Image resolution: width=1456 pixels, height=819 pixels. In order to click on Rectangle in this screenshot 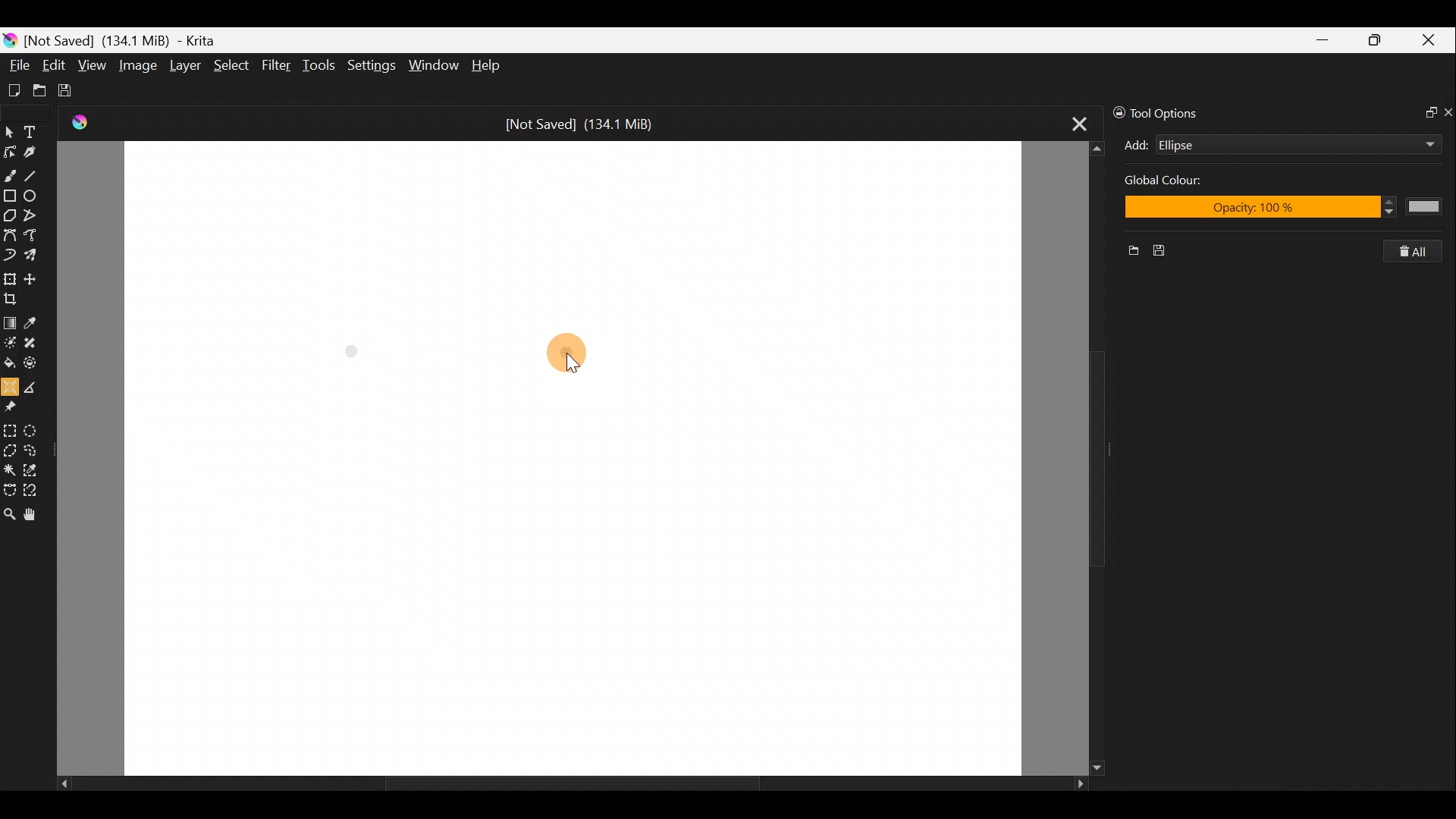, I will do `click(9, 196)`.